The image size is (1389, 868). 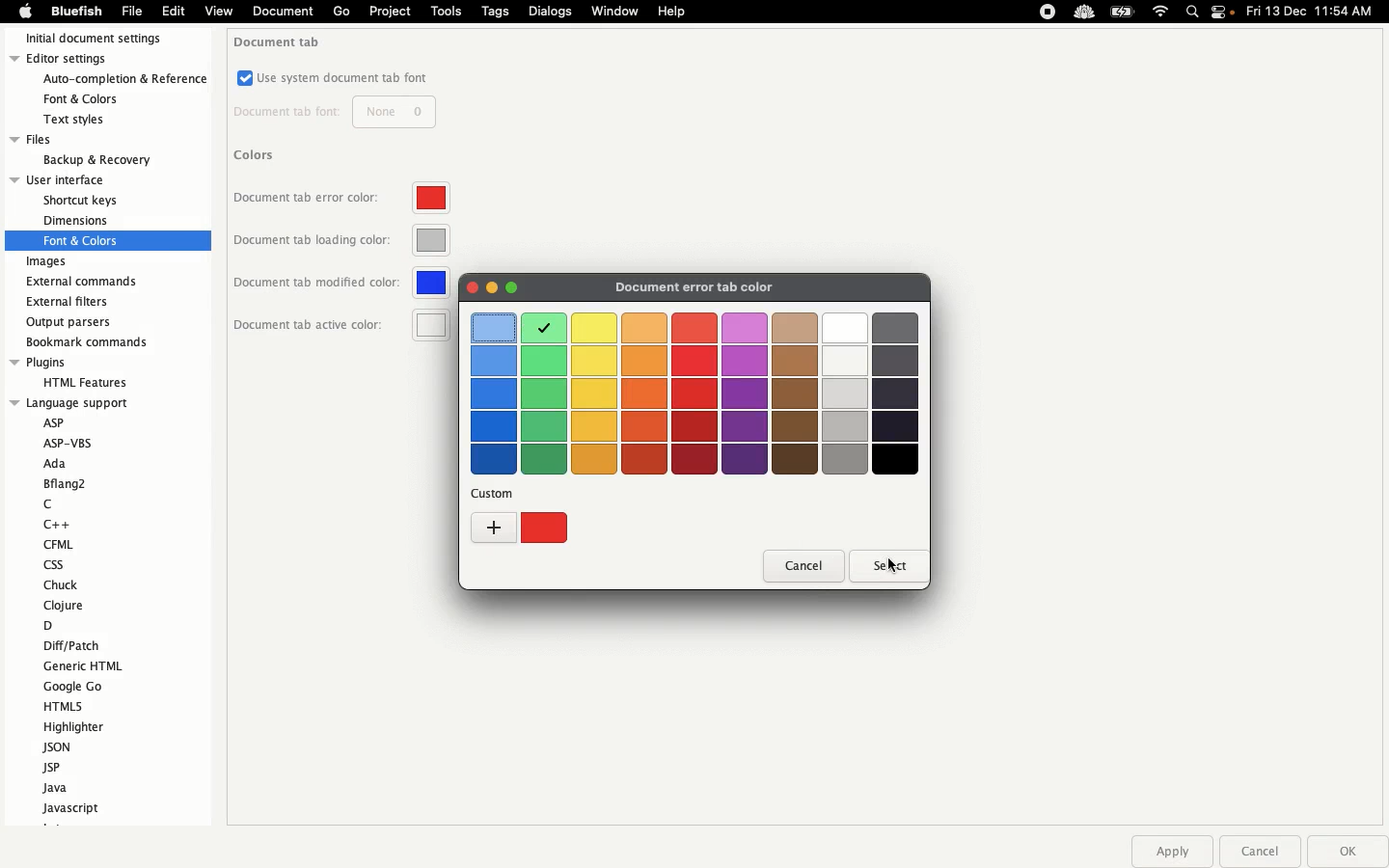 I want to click on Editor settings, so click(x=104, y=60).